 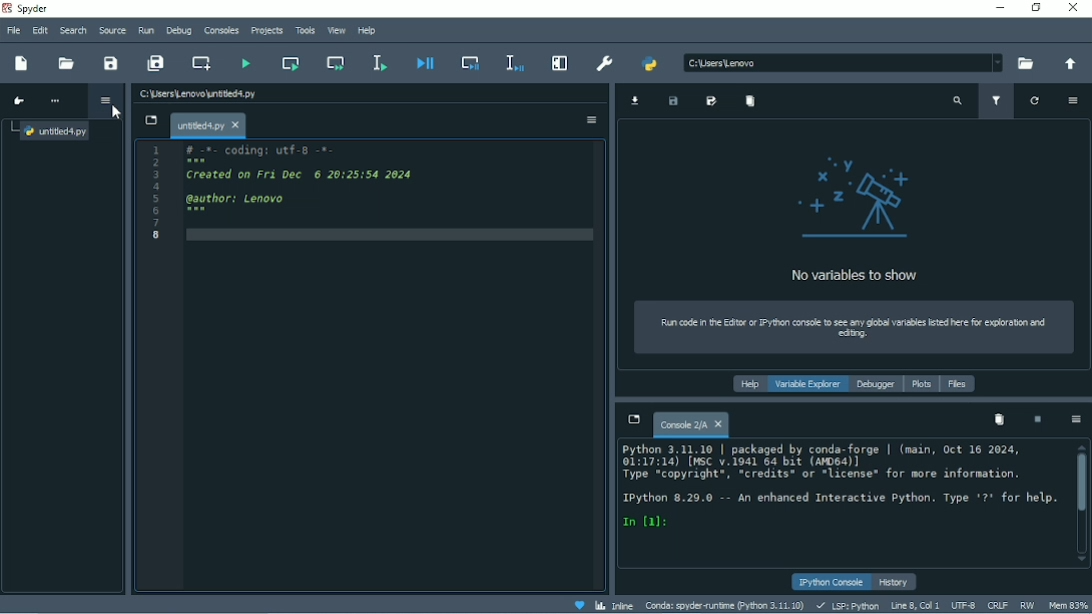 I want to click on Files, so click(x=957, y=384).